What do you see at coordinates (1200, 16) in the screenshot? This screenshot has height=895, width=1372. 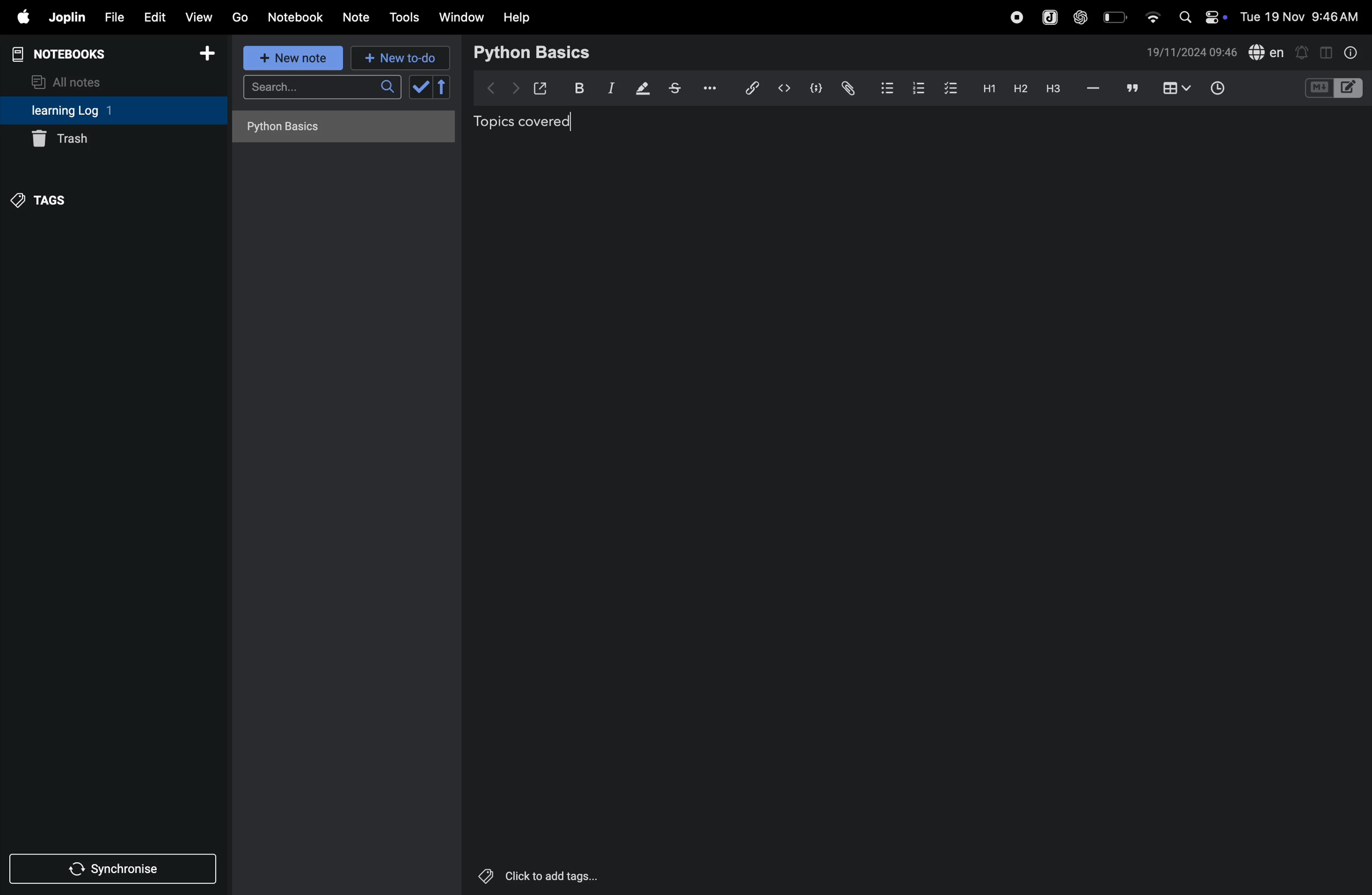 I see `apple widgets` at bounding box center [1200, 16].